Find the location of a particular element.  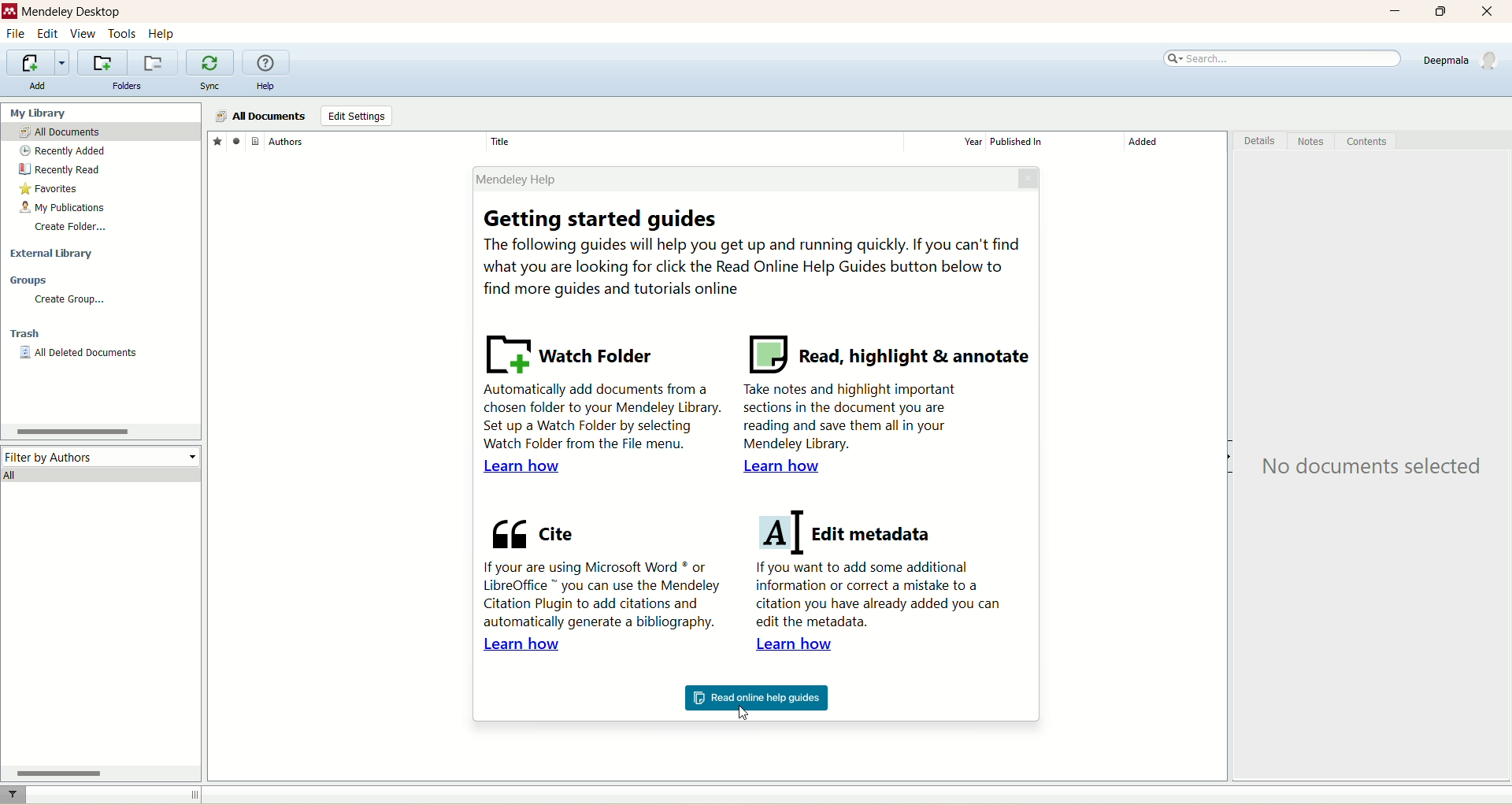

sync is located at coordinates (213, 87).